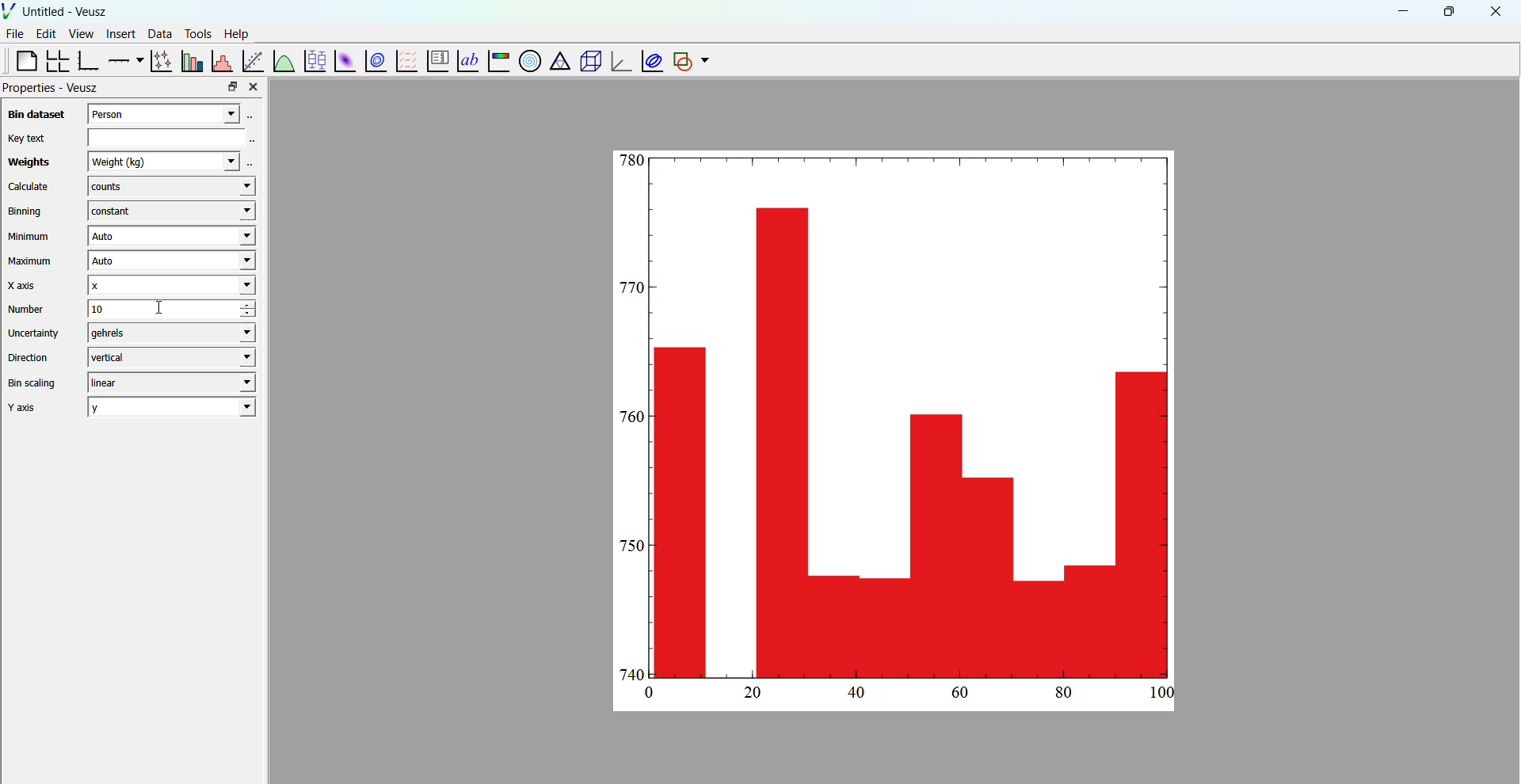  I want to click on "person" data selected, so click(175, 112).